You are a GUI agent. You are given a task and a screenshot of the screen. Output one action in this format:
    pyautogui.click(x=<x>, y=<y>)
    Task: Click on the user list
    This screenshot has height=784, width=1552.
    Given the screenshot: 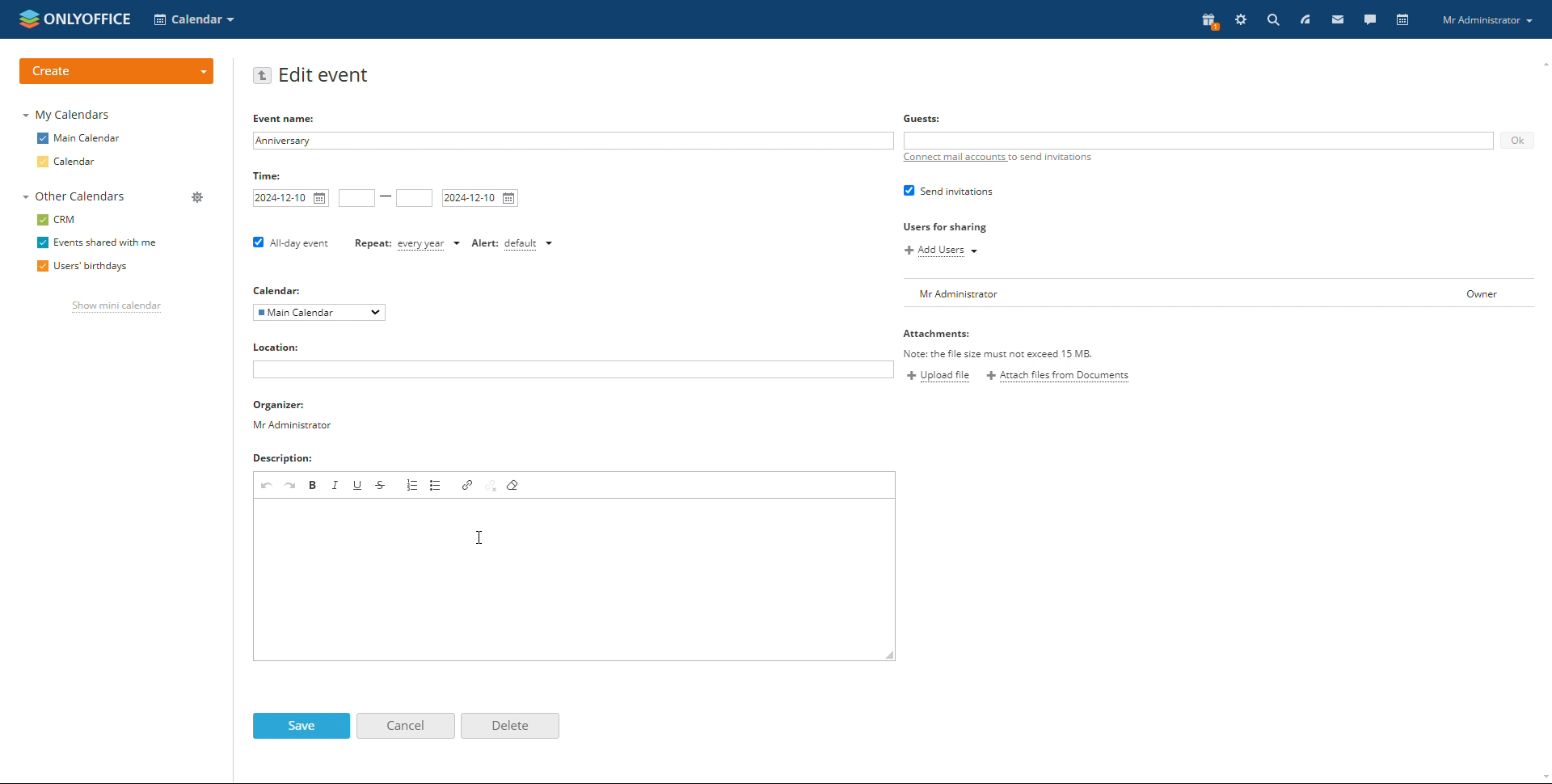 What is the action you would take?
    pyautogui.click(x=1219, y=293)
    